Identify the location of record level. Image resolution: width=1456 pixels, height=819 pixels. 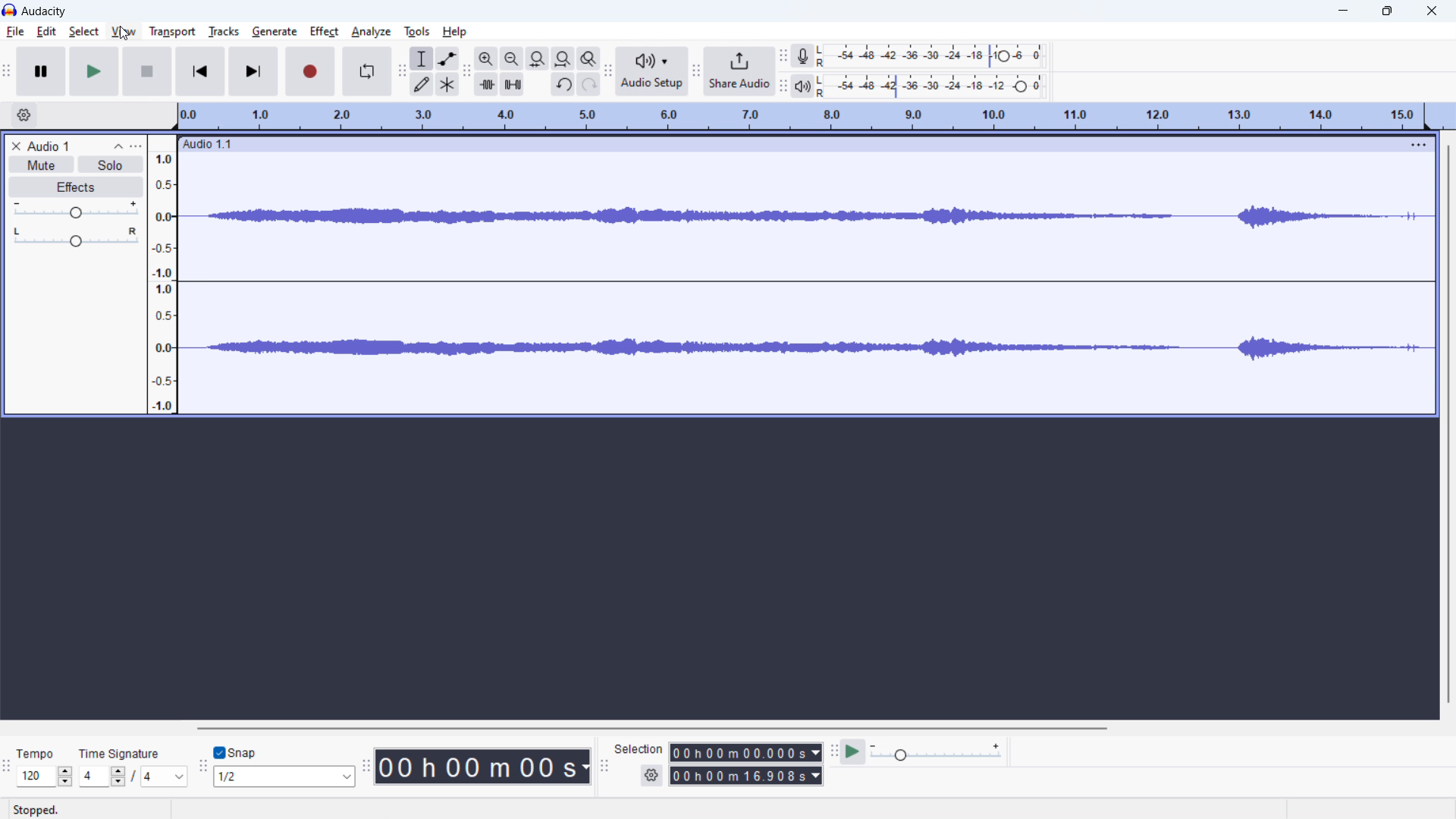
(936, 56).